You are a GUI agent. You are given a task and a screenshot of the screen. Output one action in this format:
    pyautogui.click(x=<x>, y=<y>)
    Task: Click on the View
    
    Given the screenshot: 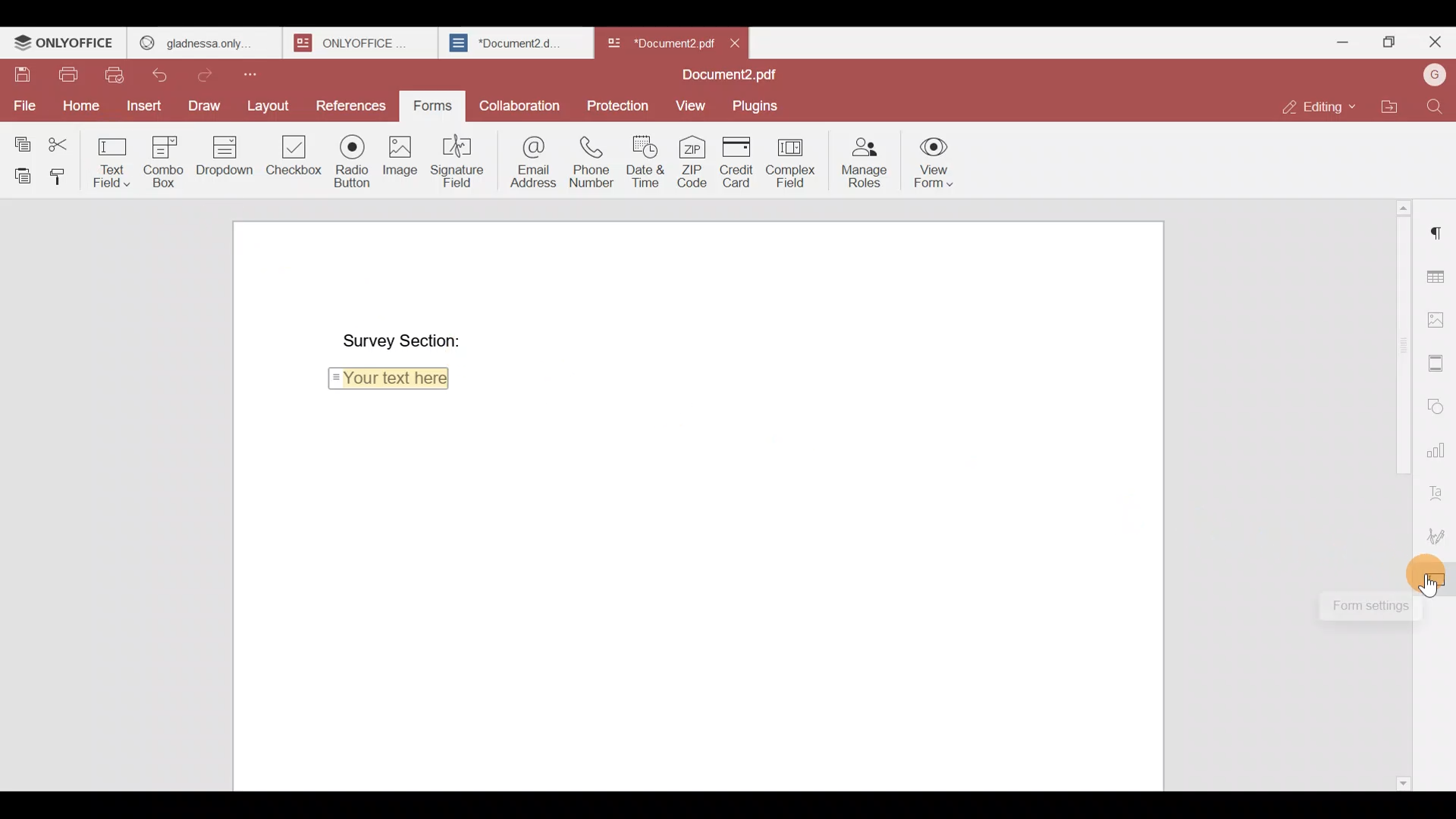 What is the action you would take?
    pyautogui.click(x=687, y=104)
    